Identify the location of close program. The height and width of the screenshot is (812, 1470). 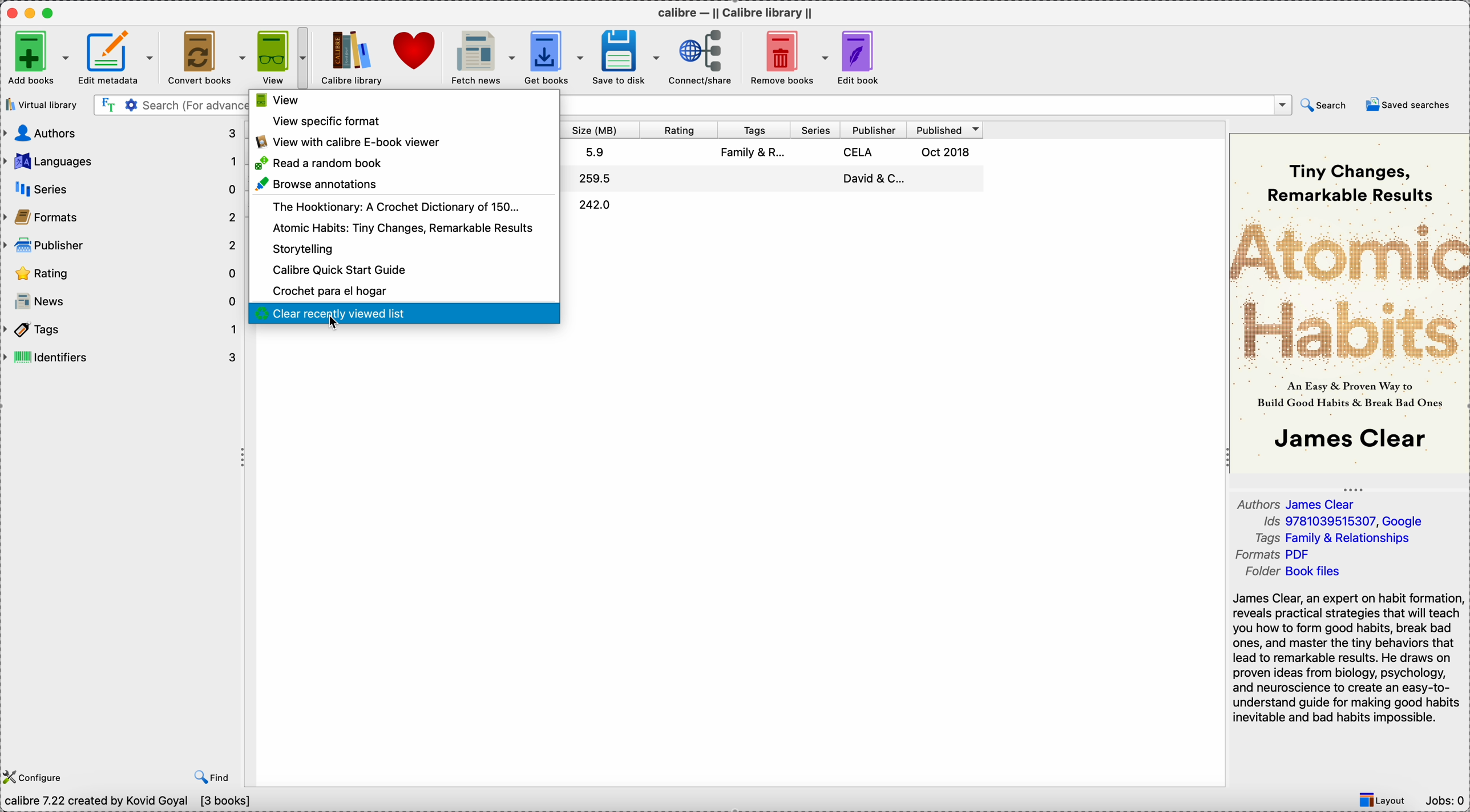
(11, 11).